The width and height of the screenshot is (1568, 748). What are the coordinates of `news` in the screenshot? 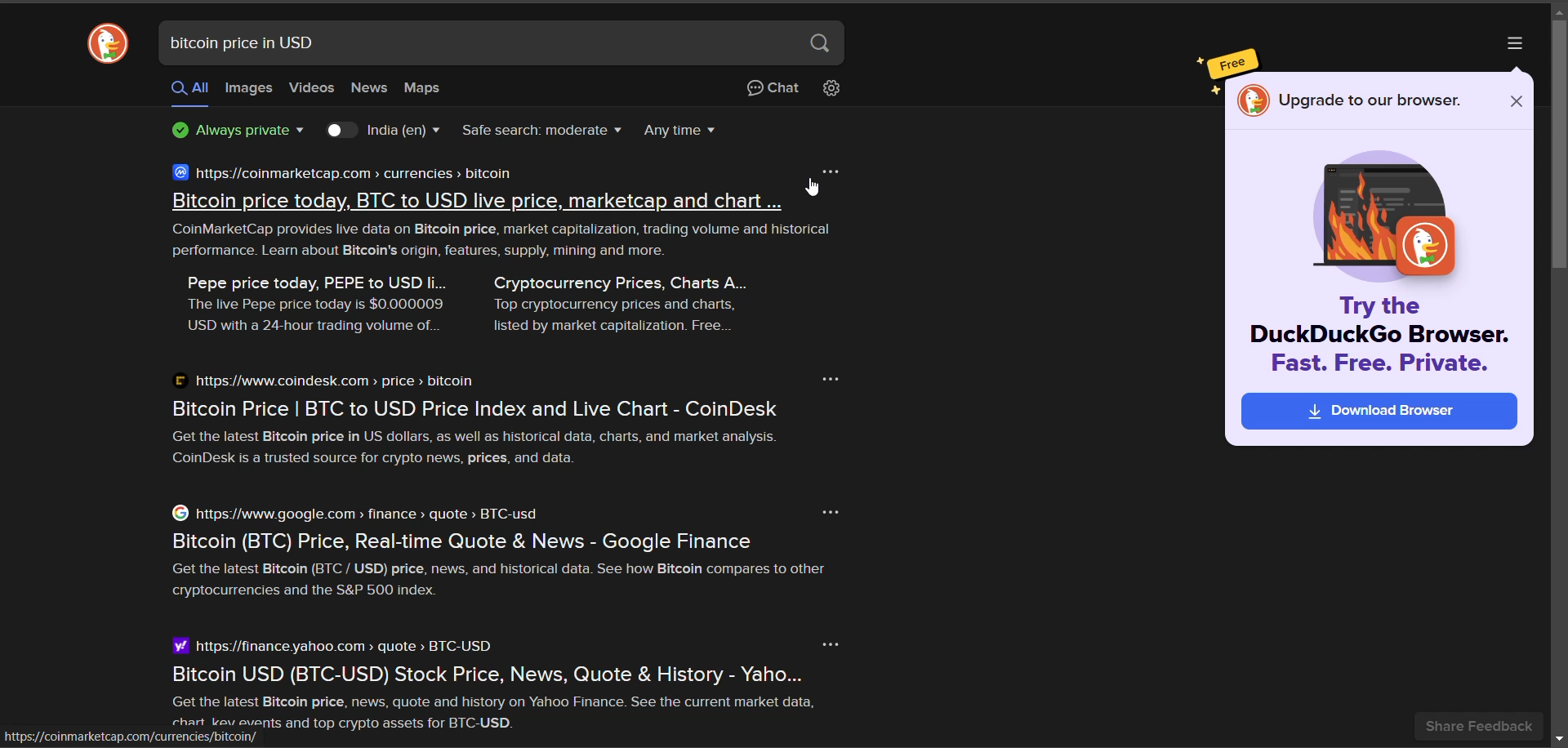 It's located at (369, 87).